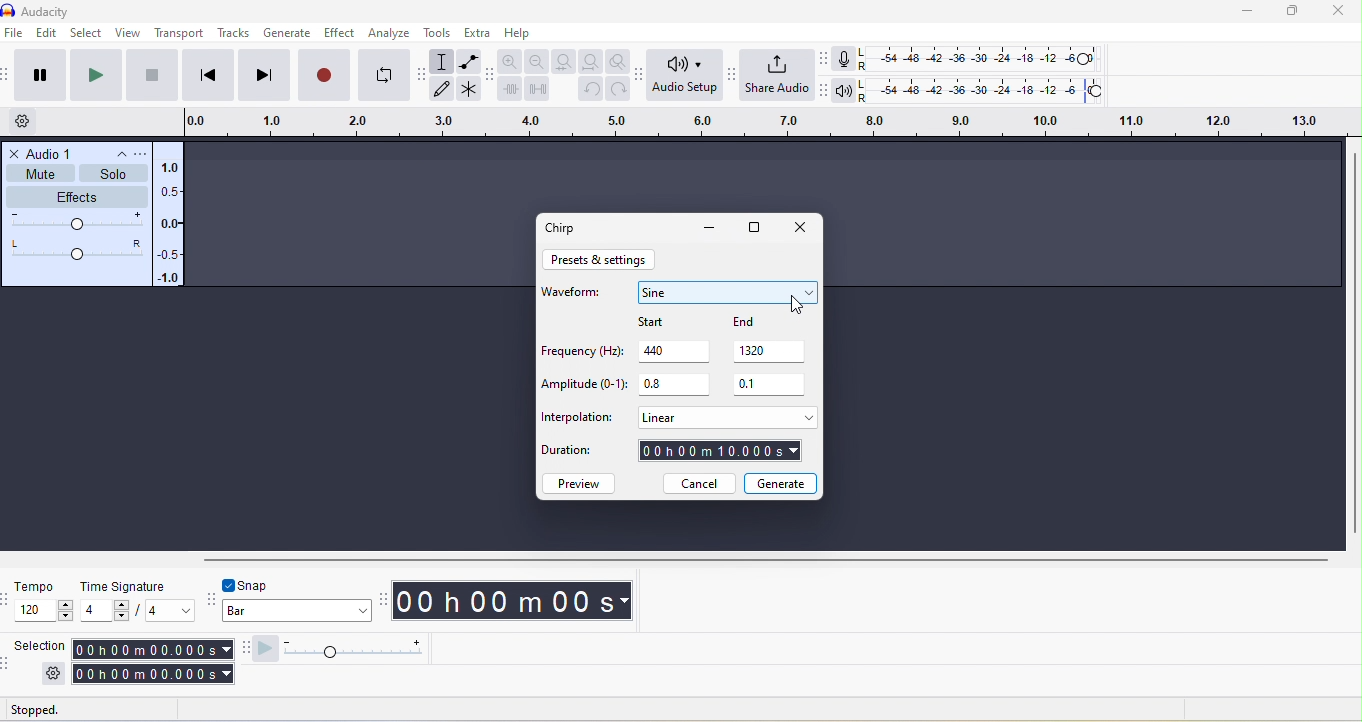 This screenshot has width=1362, height=722. Describe the element at coordinates (45, 611) in the screenshot. I see `120` at that location.